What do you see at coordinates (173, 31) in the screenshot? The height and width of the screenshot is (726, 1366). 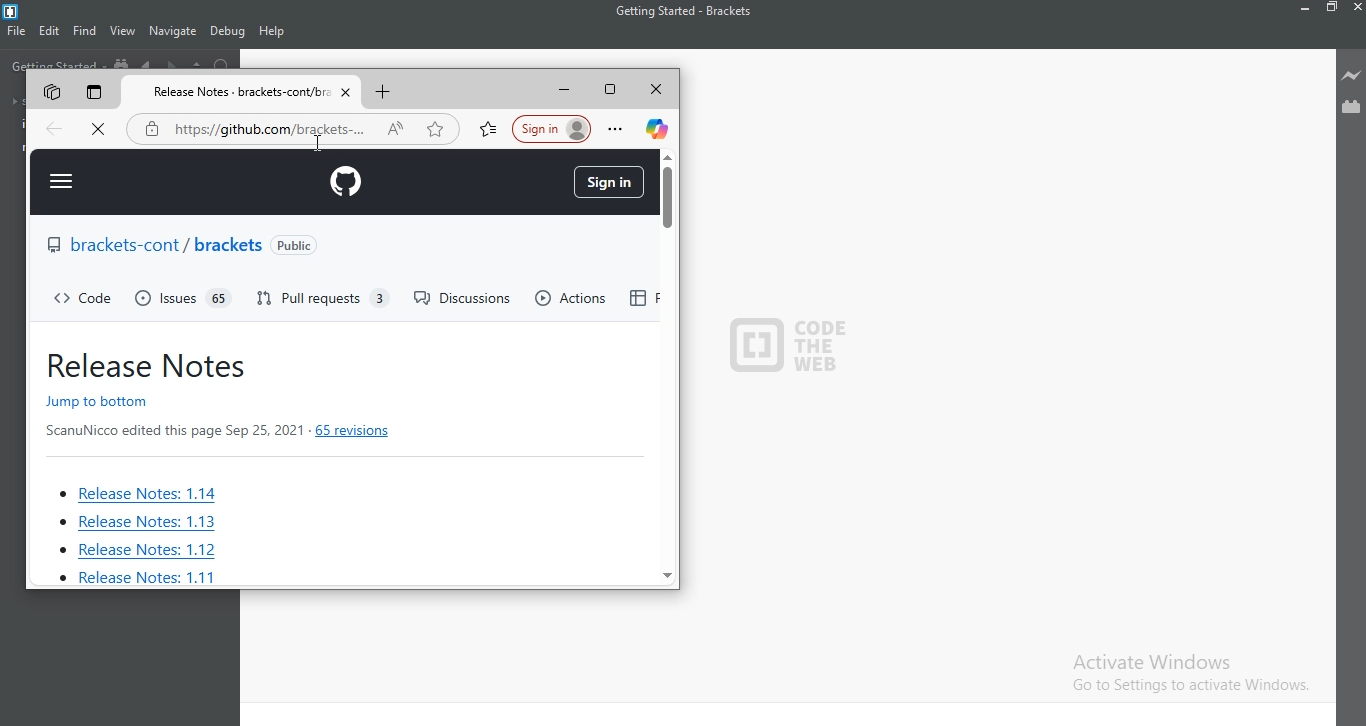 I see `Navigate` at bounding box center [173, 31].